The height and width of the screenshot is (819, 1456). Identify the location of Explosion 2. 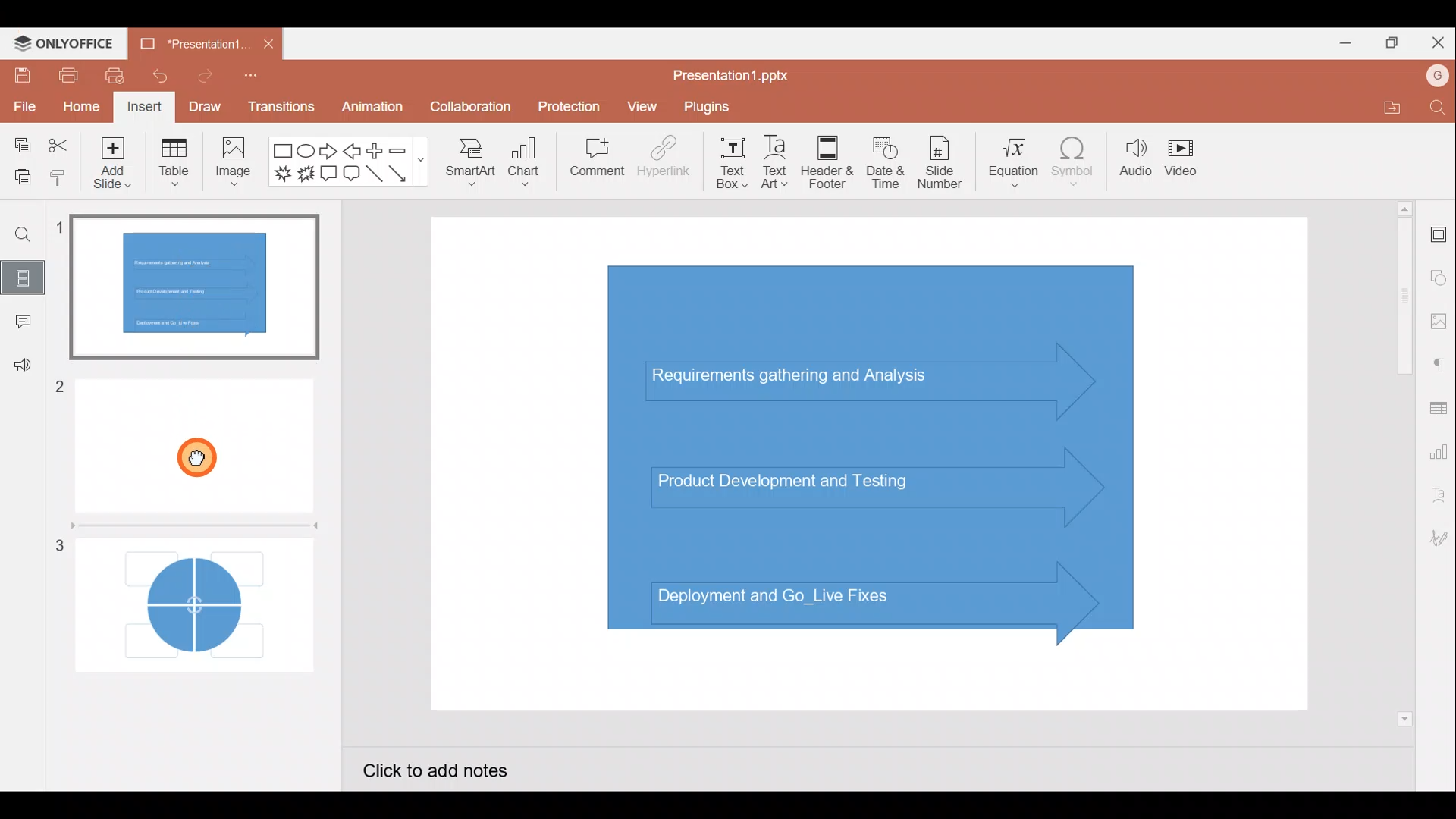
(305, 175).